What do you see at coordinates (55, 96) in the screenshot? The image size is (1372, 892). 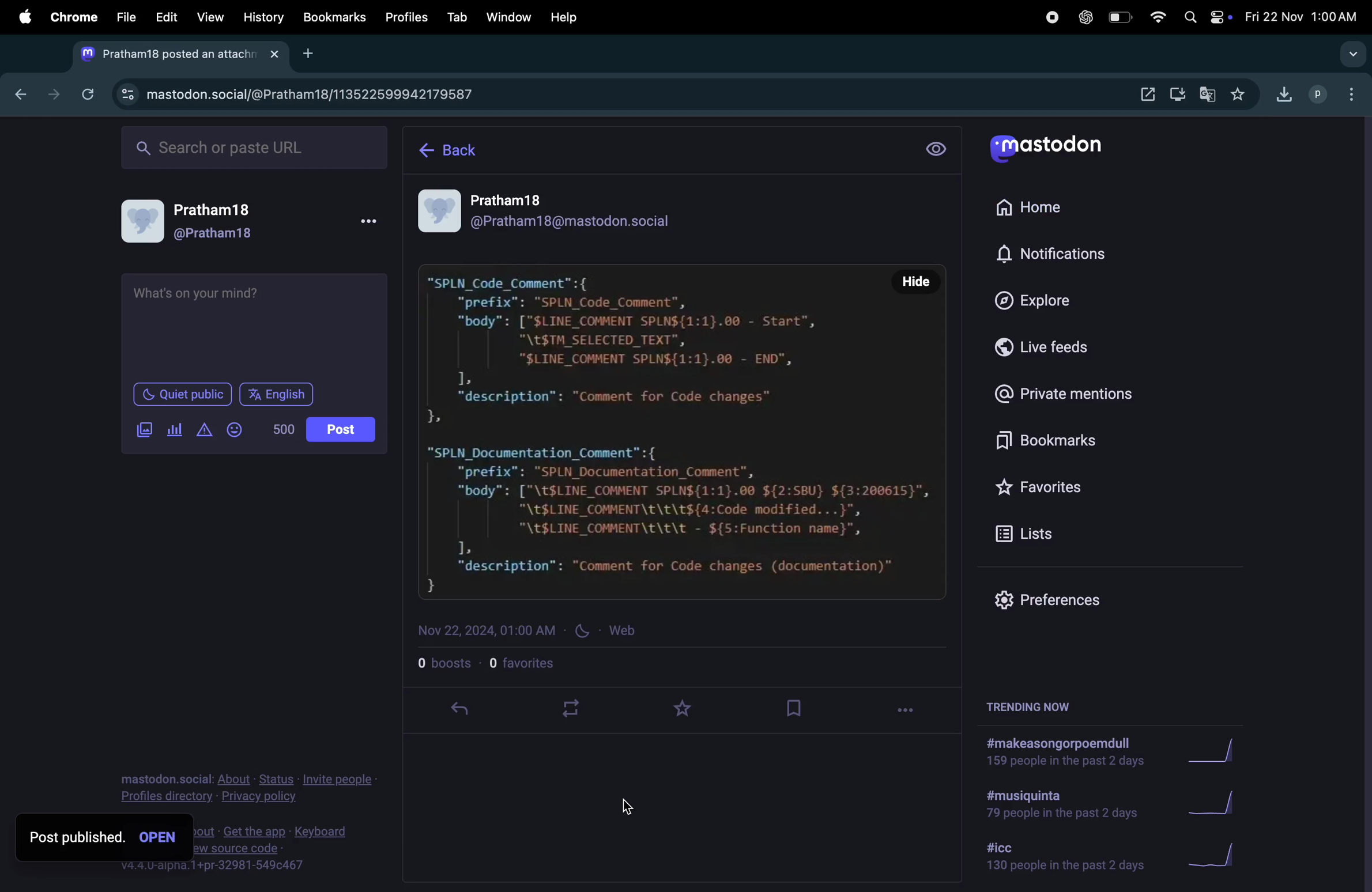 I see `forward` at bounding box center [55, 96].